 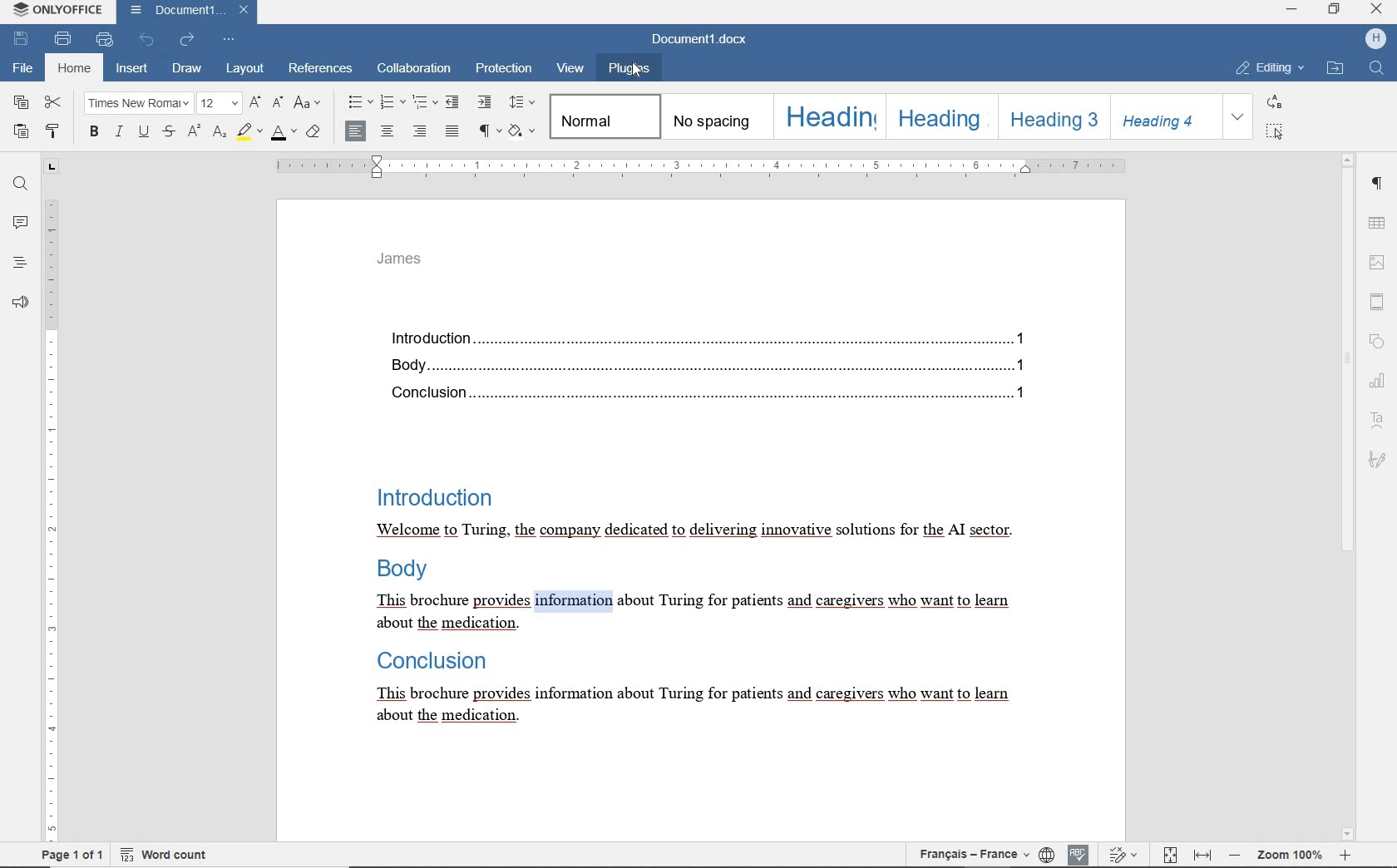 What do you see at coordinates (193, 131) in the screenshot?
I see `SUPERSCRIPT` at bounding box center [193, 131].